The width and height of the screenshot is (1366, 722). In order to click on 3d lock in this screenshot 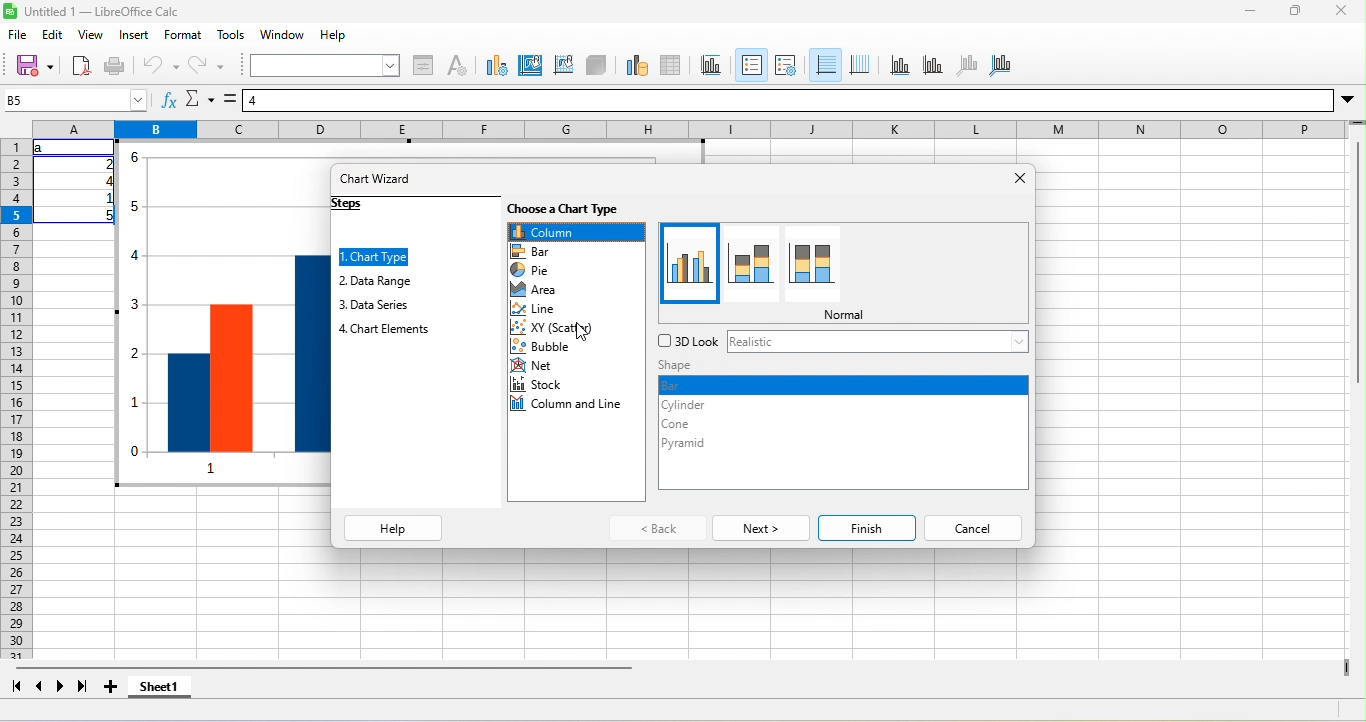, I will do `click(689, 341)`.